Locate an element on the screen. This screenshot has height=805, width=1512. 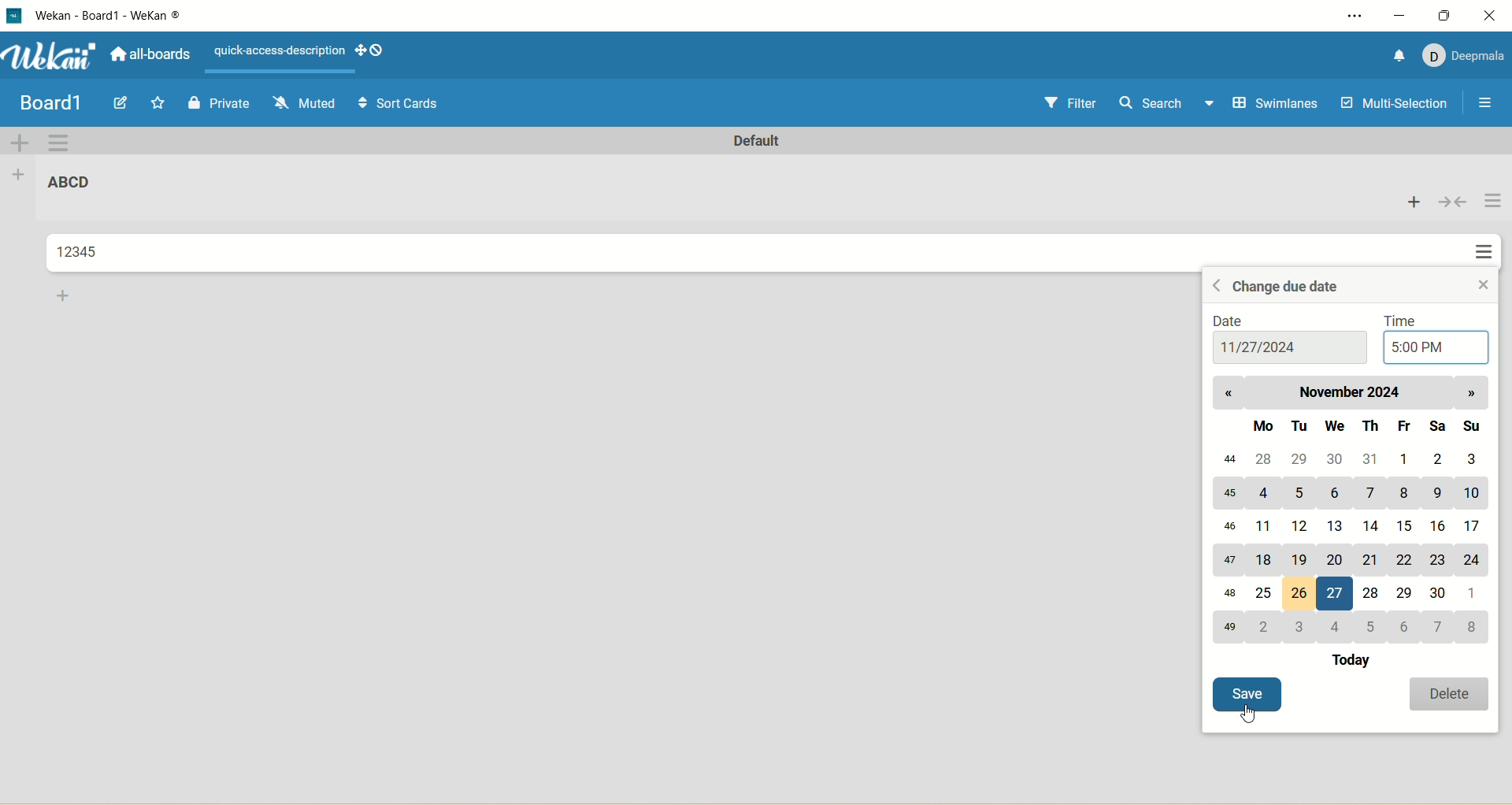
logo is located at coordinates (18, 17).